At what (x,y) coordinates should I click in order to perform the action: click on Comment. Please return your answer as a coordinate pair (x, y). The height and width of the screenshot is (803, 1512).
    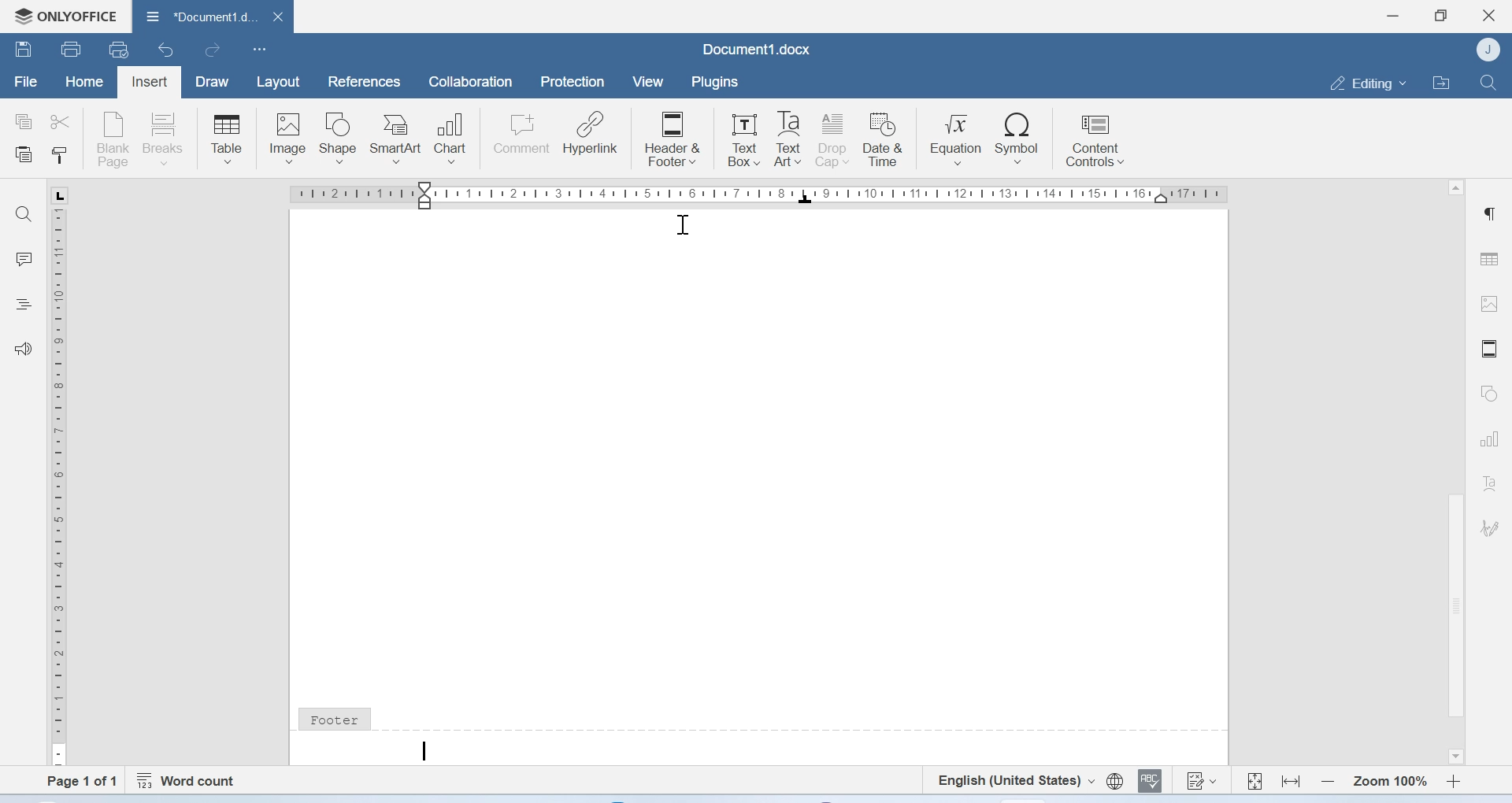
    Looking at the image, I should click on (522, 135).